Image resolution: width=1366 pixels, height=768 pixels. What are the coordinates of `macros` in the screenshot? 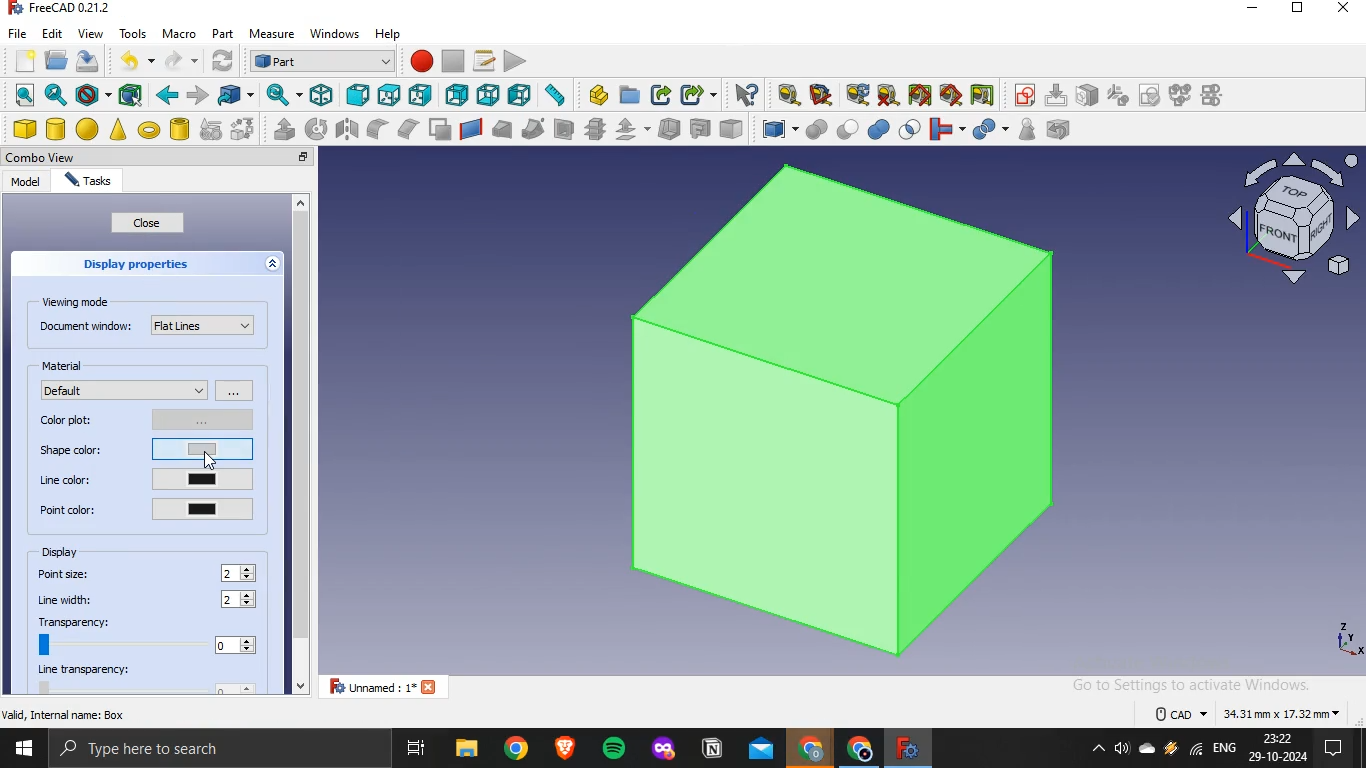 It's located at (484, 60).